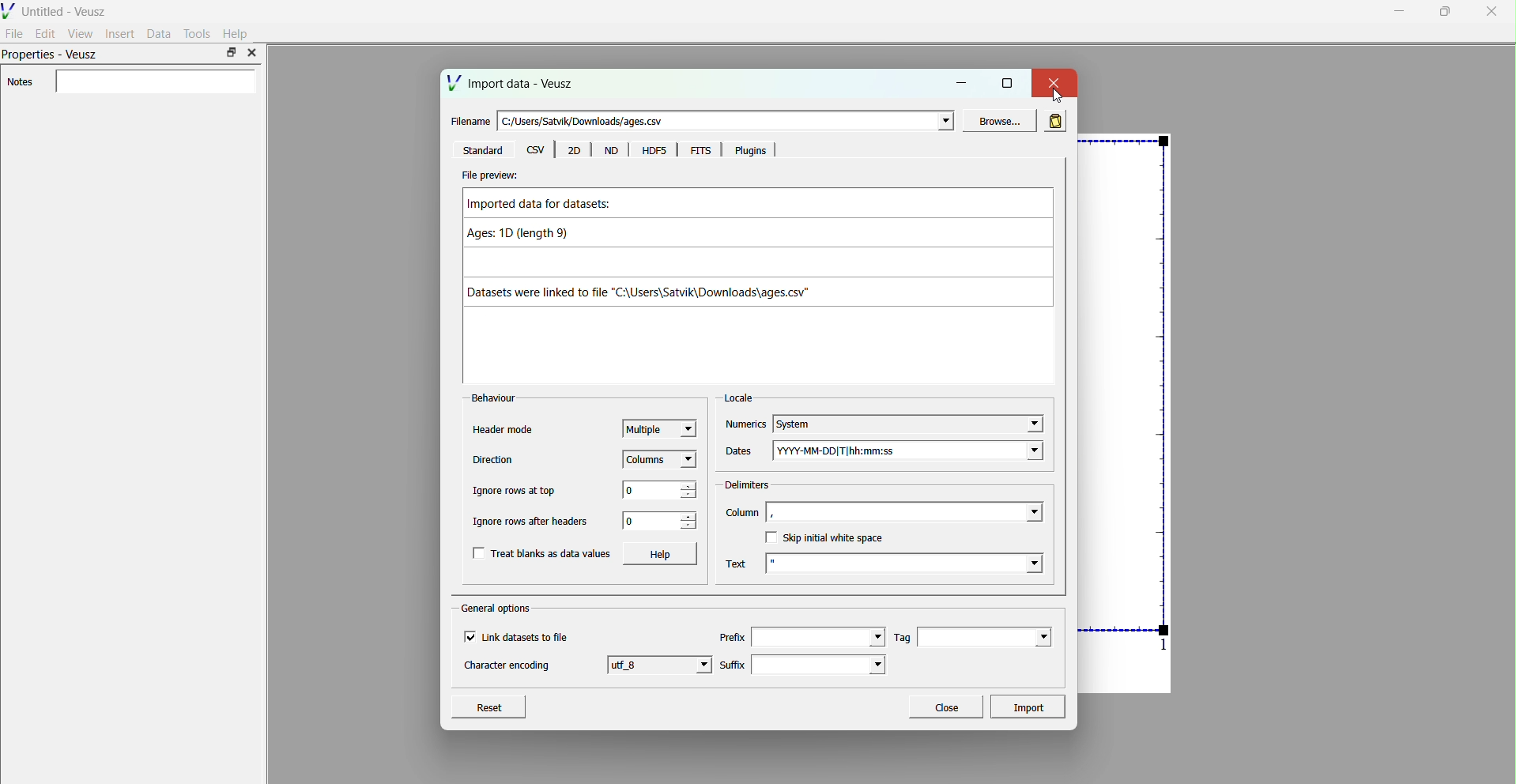 This screenshot has width=1516, height=784. I want to click on Properties - Veusz, so click(52, 56).